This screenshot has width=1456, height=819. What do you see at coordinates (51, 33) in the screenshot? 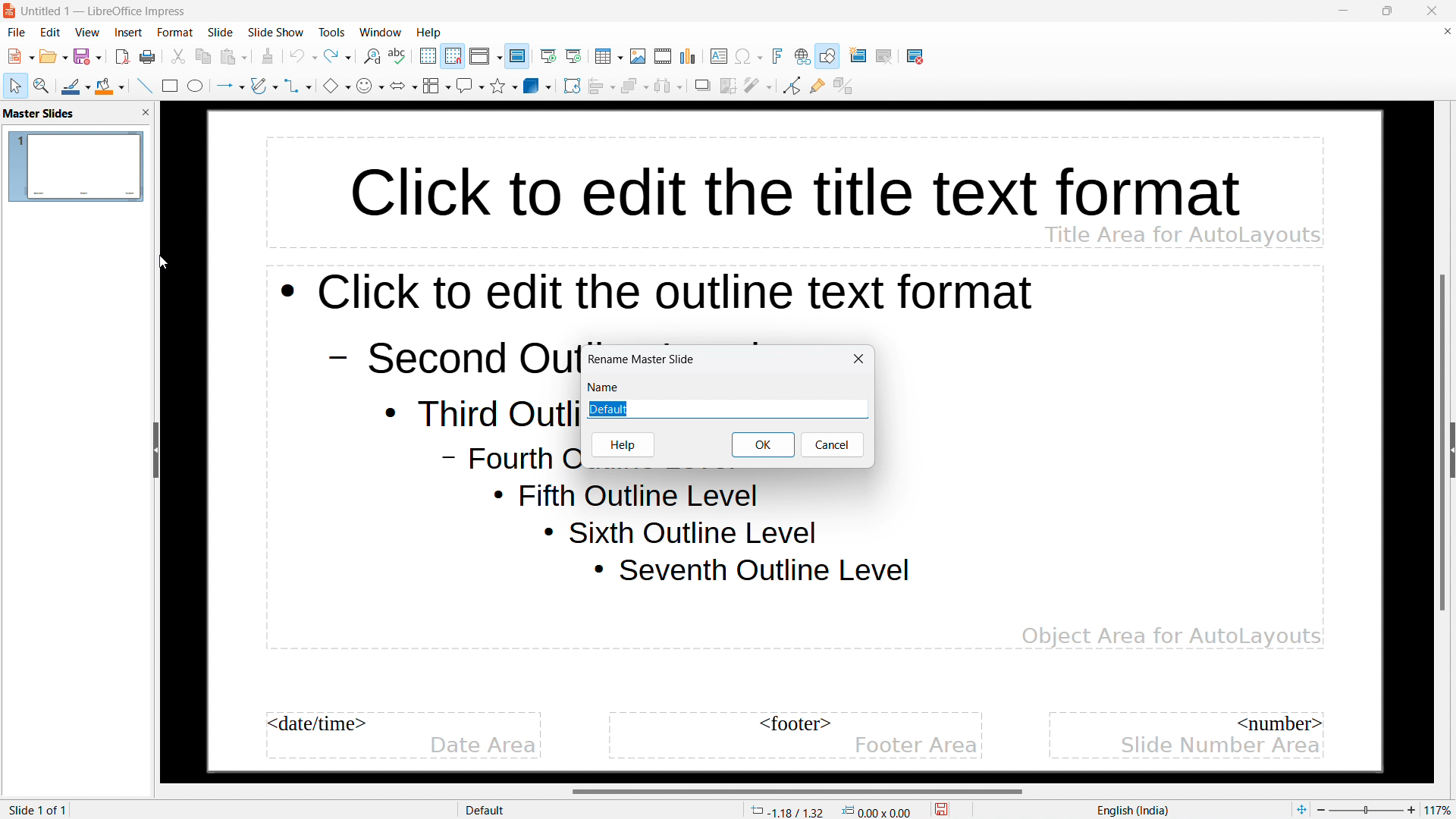
I see `edit` at bounding box center [51, 33].